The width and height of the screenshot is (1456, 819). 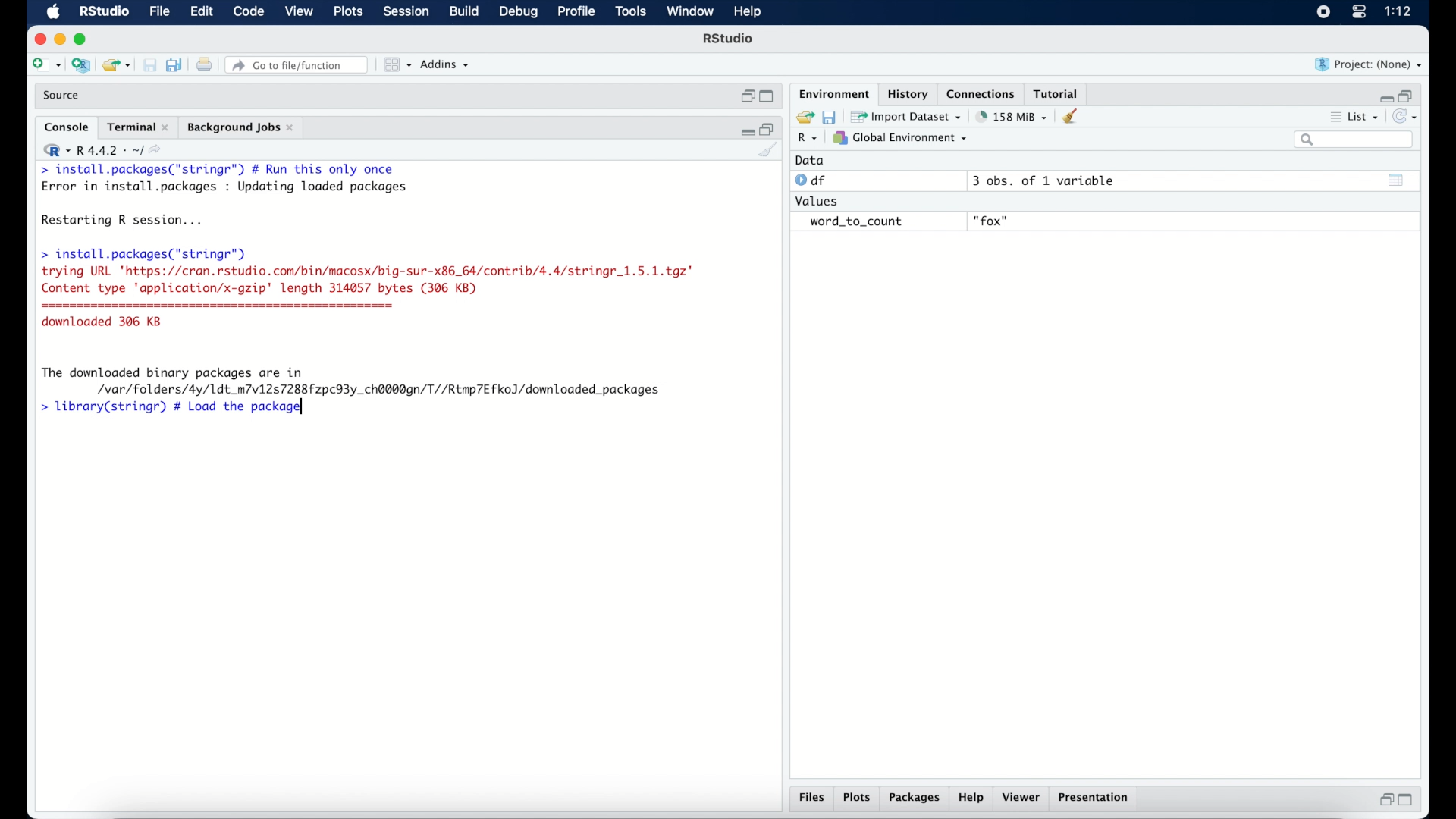 What do you see at coordinates (808, 139) in the screenshot?
I see `R` at bounding box center [808, 139].